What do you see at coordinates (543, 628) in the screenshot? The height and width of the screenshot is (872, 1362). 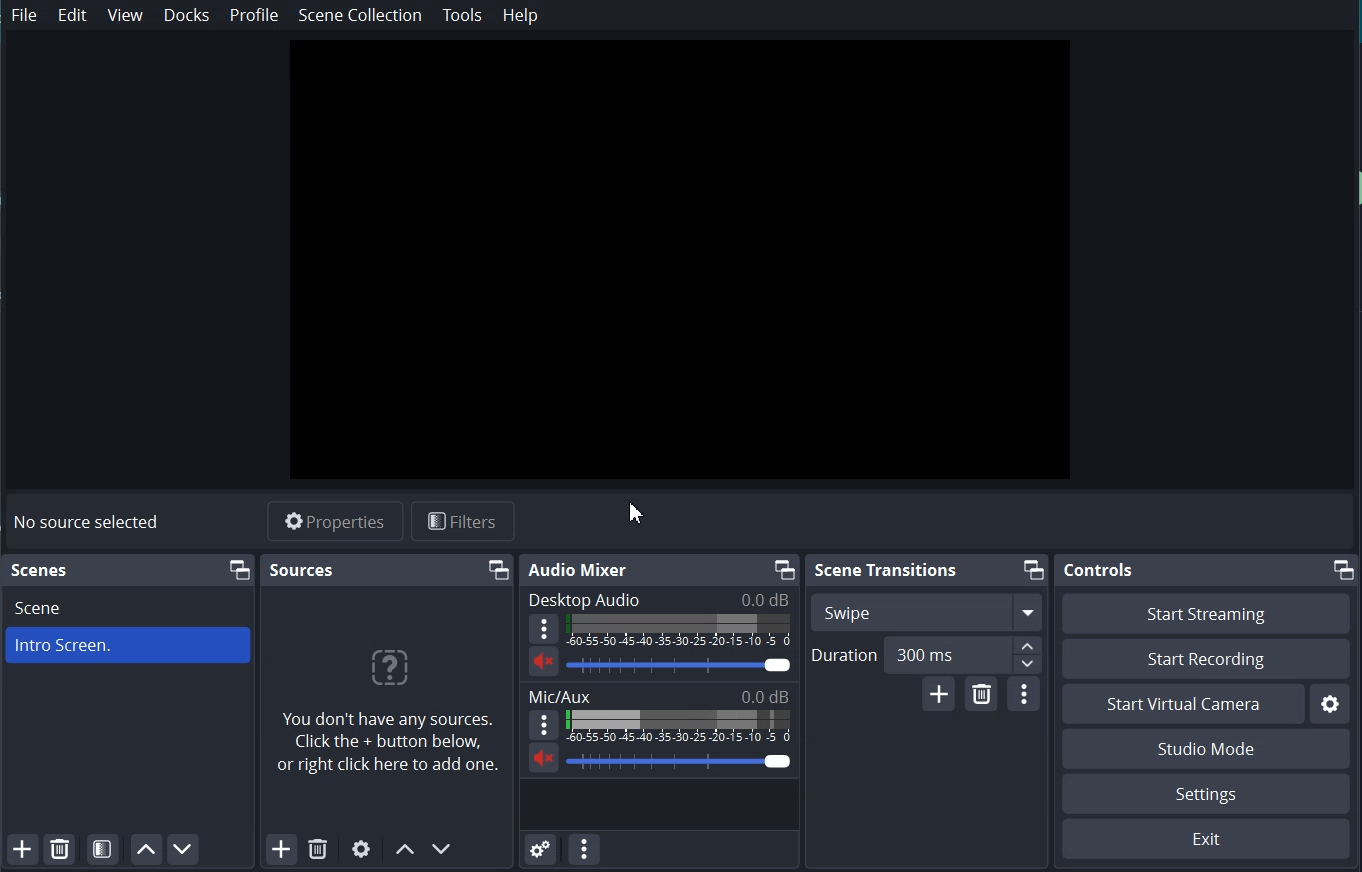 I see `More` at bounding box center [543, 628].